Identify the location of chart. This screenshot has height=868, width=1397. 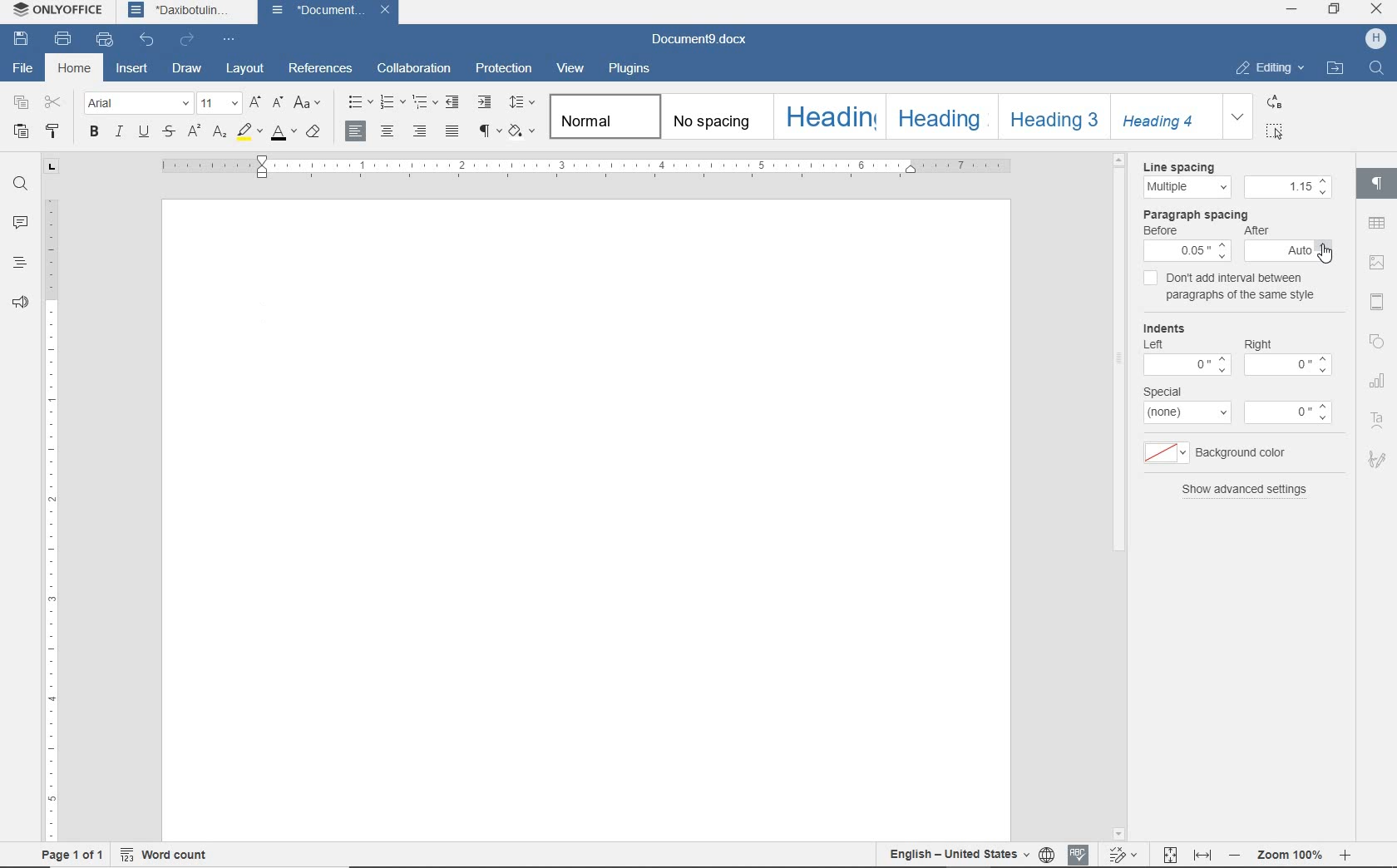
(1378, 382).